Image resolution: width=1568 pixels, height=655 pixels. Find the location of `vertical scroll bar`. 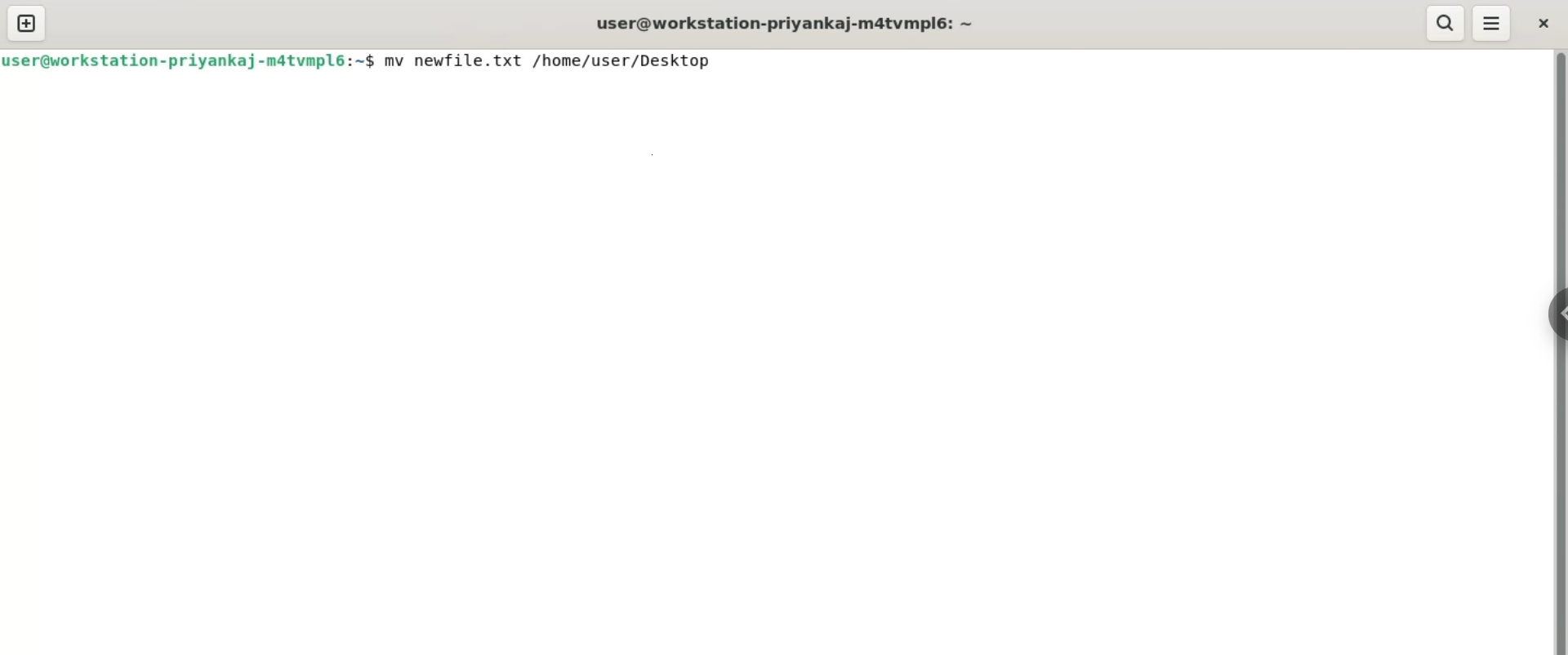

vertical scroll bar is located at coordinates (1561, 351).